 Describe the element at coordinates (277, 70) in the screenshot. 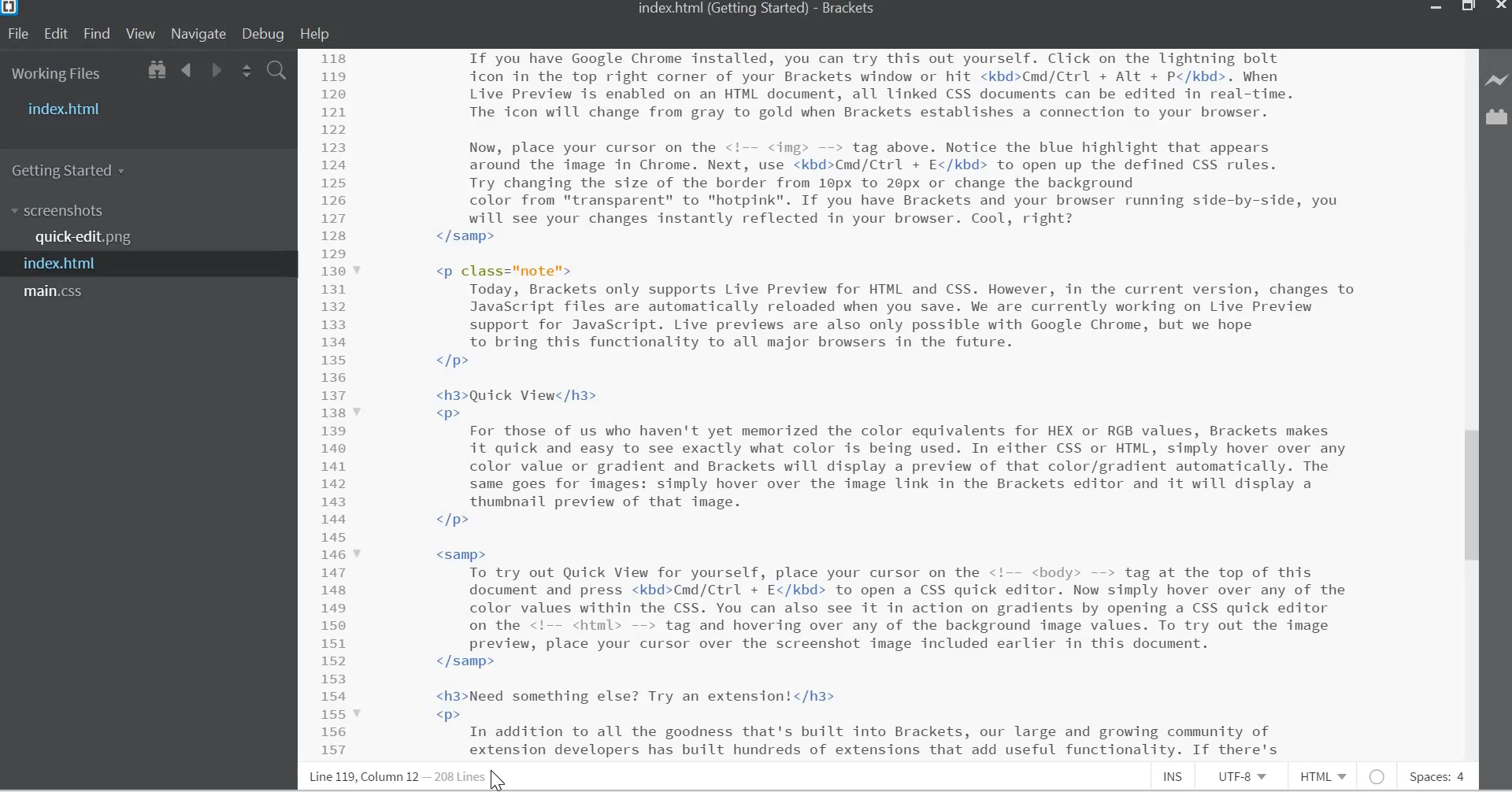

I see `Find in Files` at that location.